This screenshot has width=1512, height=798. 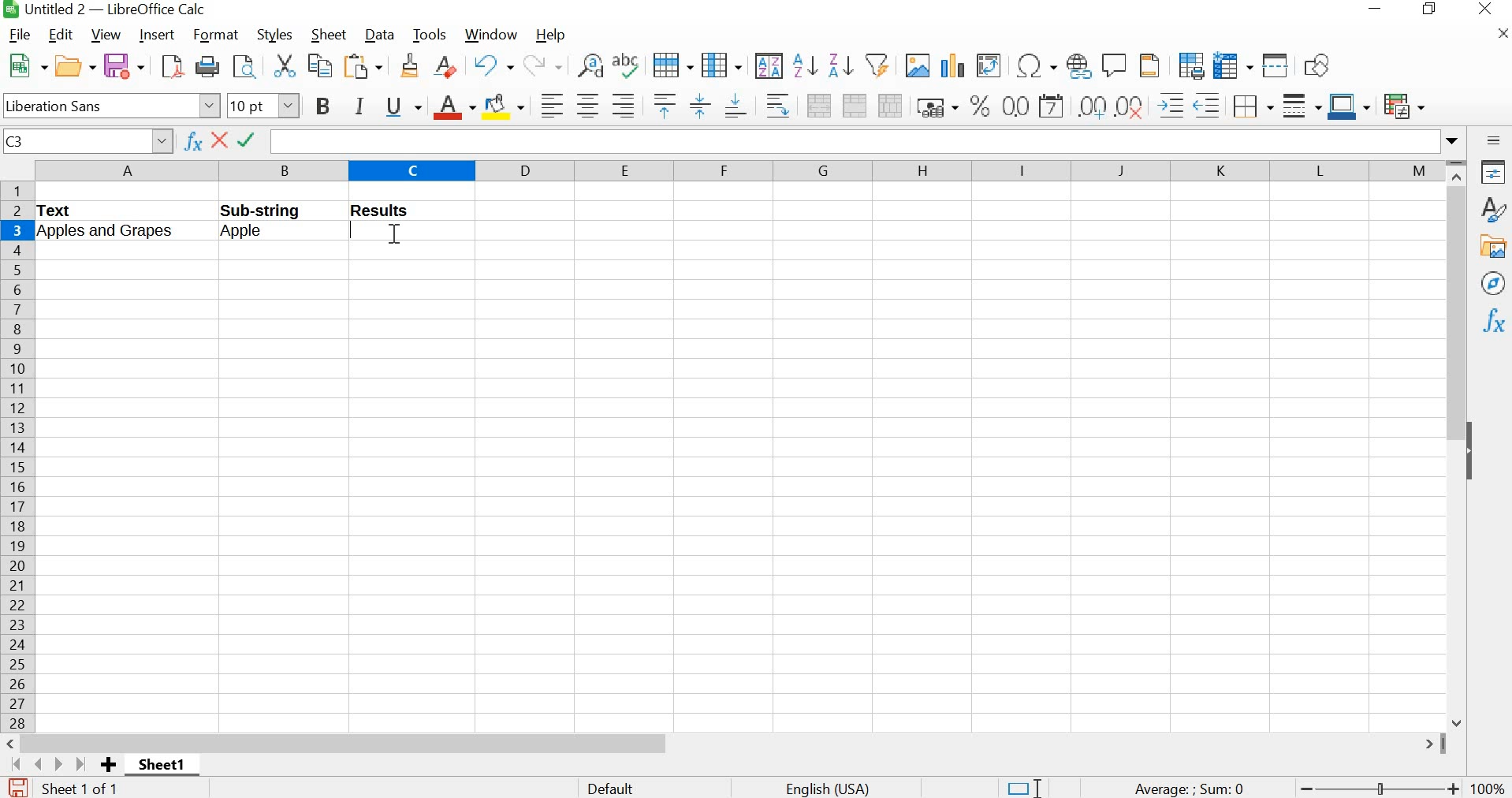 What do you see at coordinates (378, 35) in the screenshot?
I see `data` at bounding box center [378, 35].